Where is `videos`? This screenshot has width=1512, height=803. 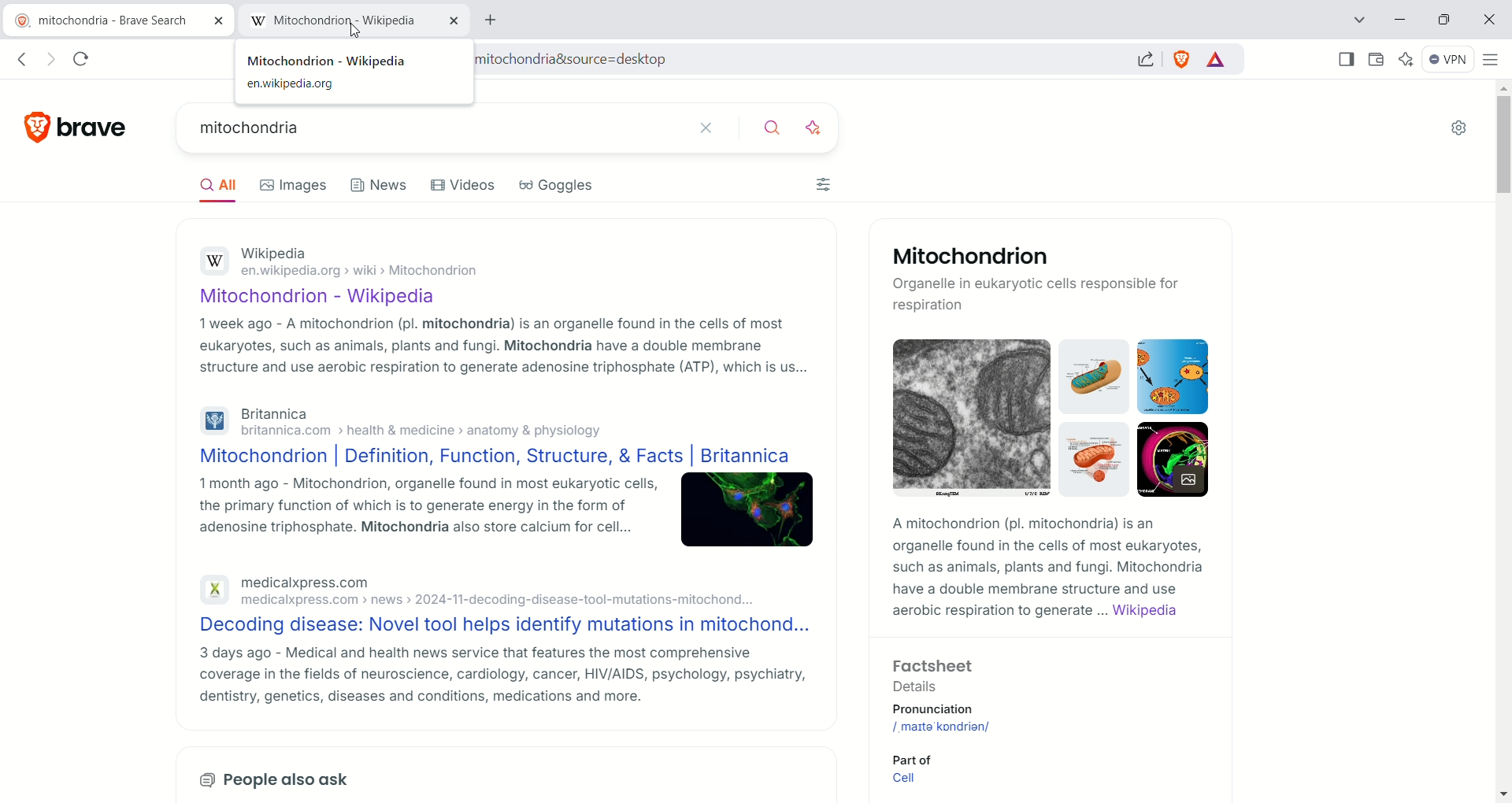
videos is located at coordinates (465, 187).